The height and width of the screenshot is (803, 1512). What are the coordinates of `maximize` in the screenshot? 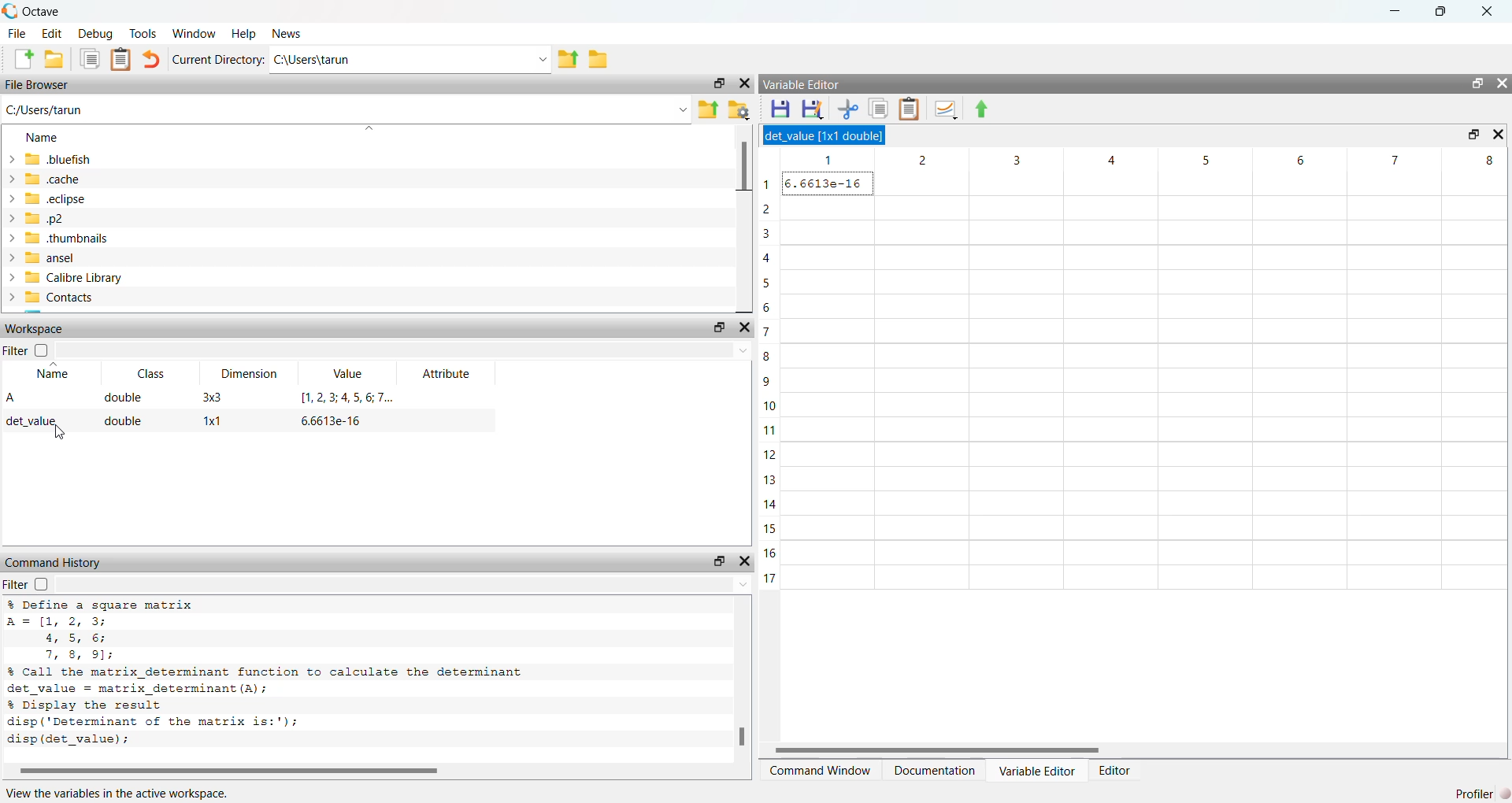 It's located at (717, 329).